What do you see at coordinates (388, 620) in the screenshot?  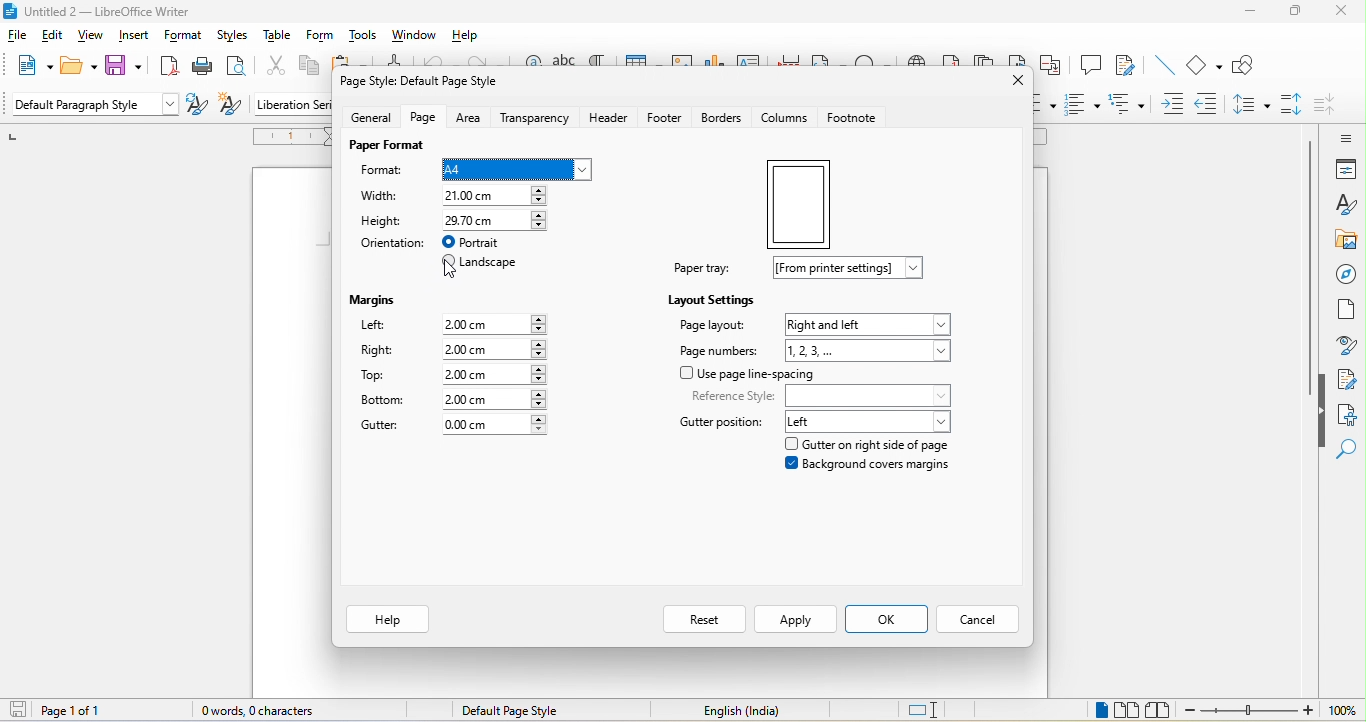 I see `help` at bounding box center [388, 620].